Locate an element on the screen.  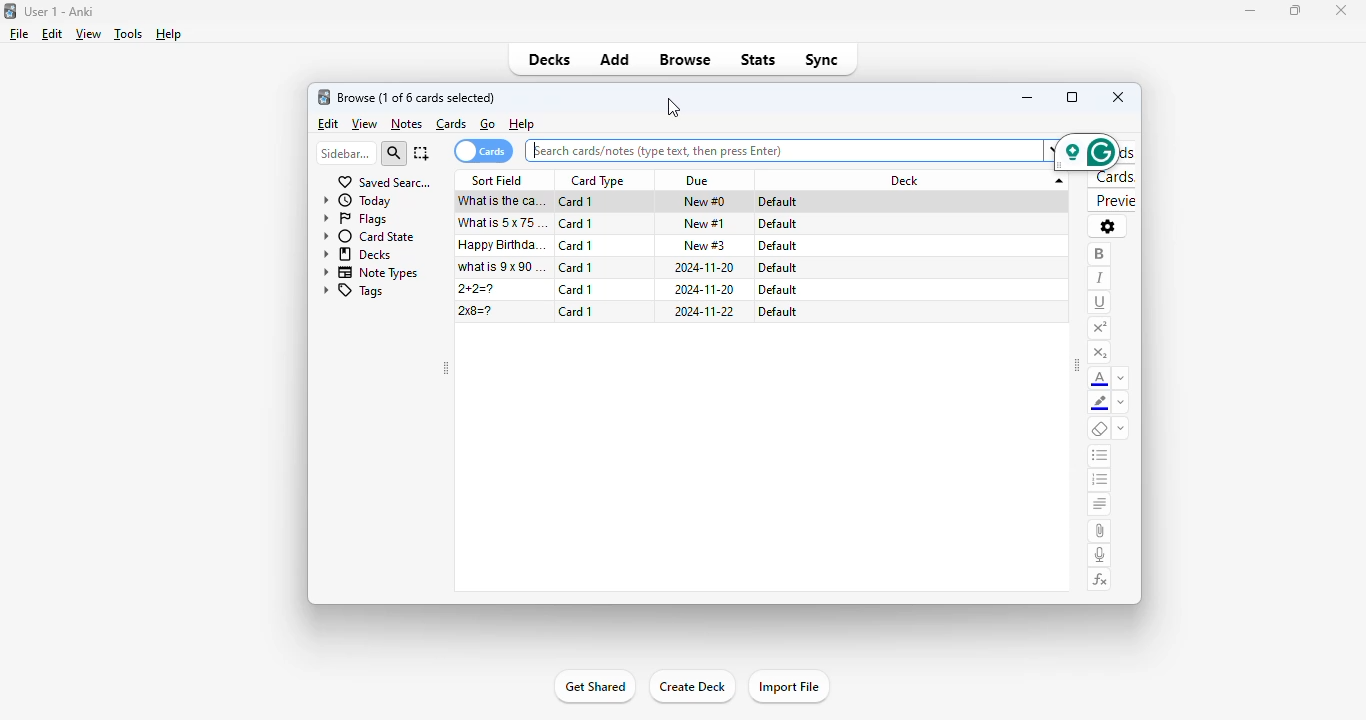
browse (1 of 6 cards selected) is located at coordinates (417, 98).